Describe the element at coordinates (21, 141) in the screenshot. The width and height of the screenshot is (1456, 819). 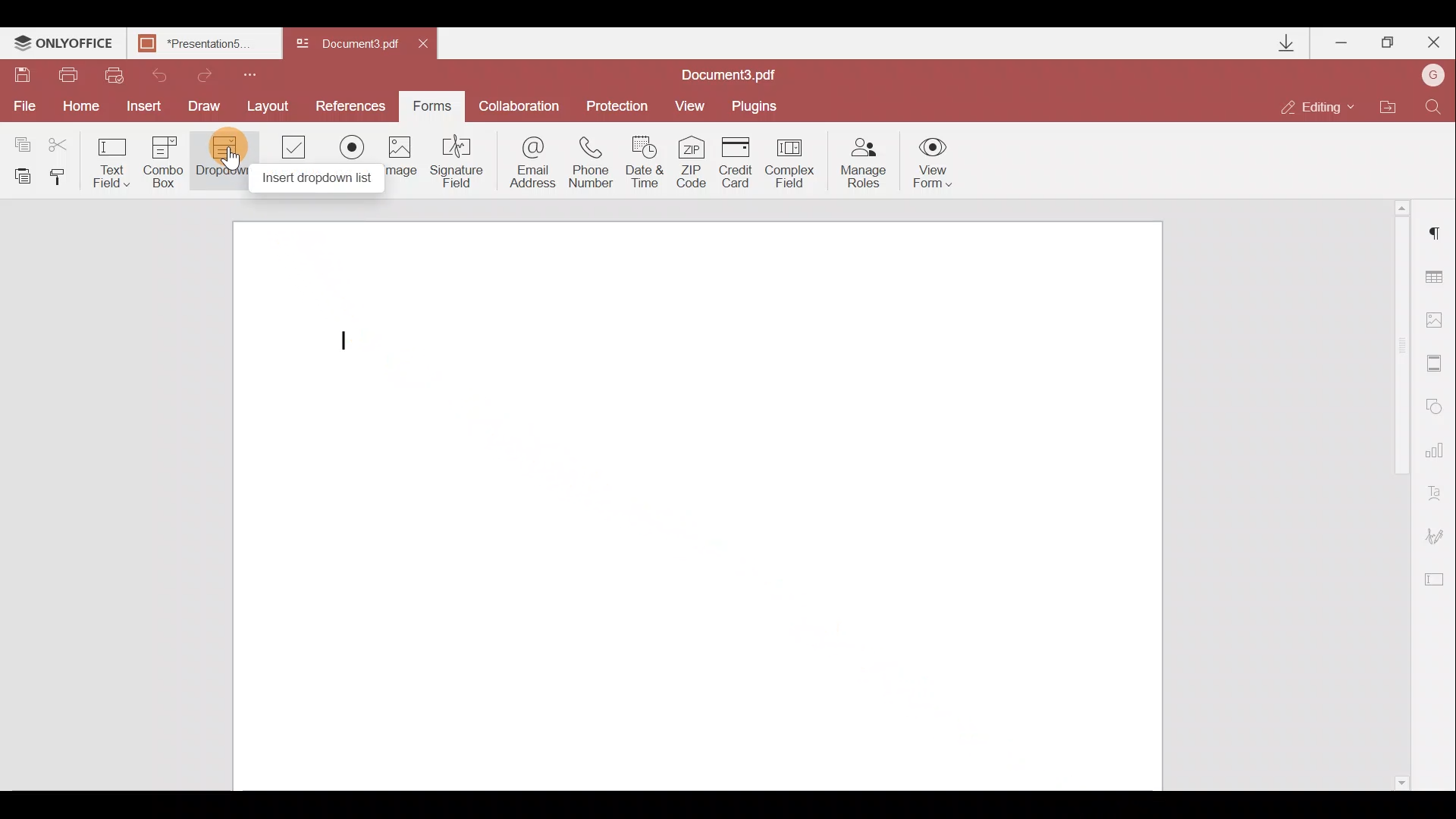
I see `Copy` at that location.